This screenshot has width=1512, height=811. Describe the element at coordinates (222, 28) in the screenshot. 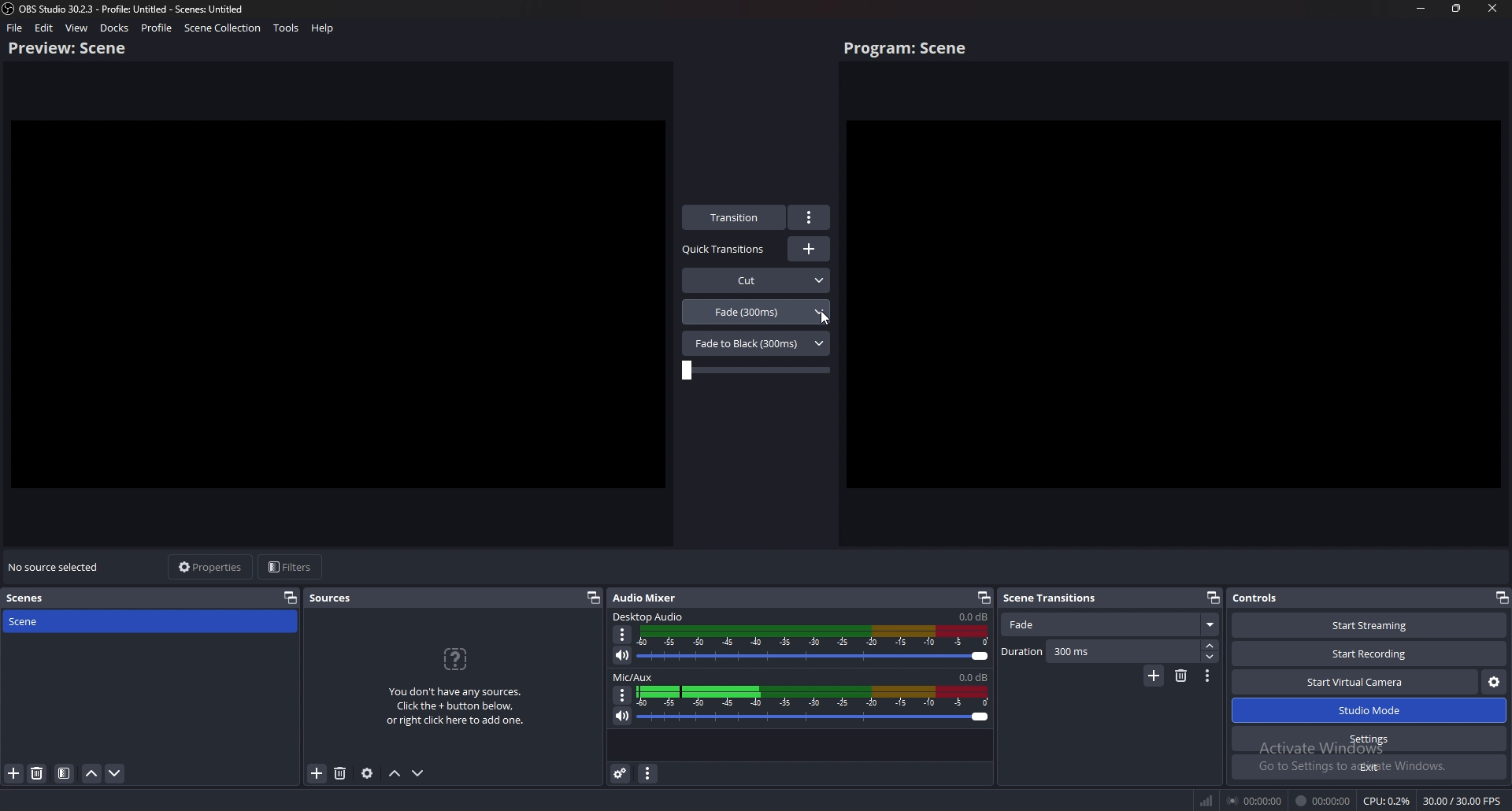

I see `scene collection` at that location.